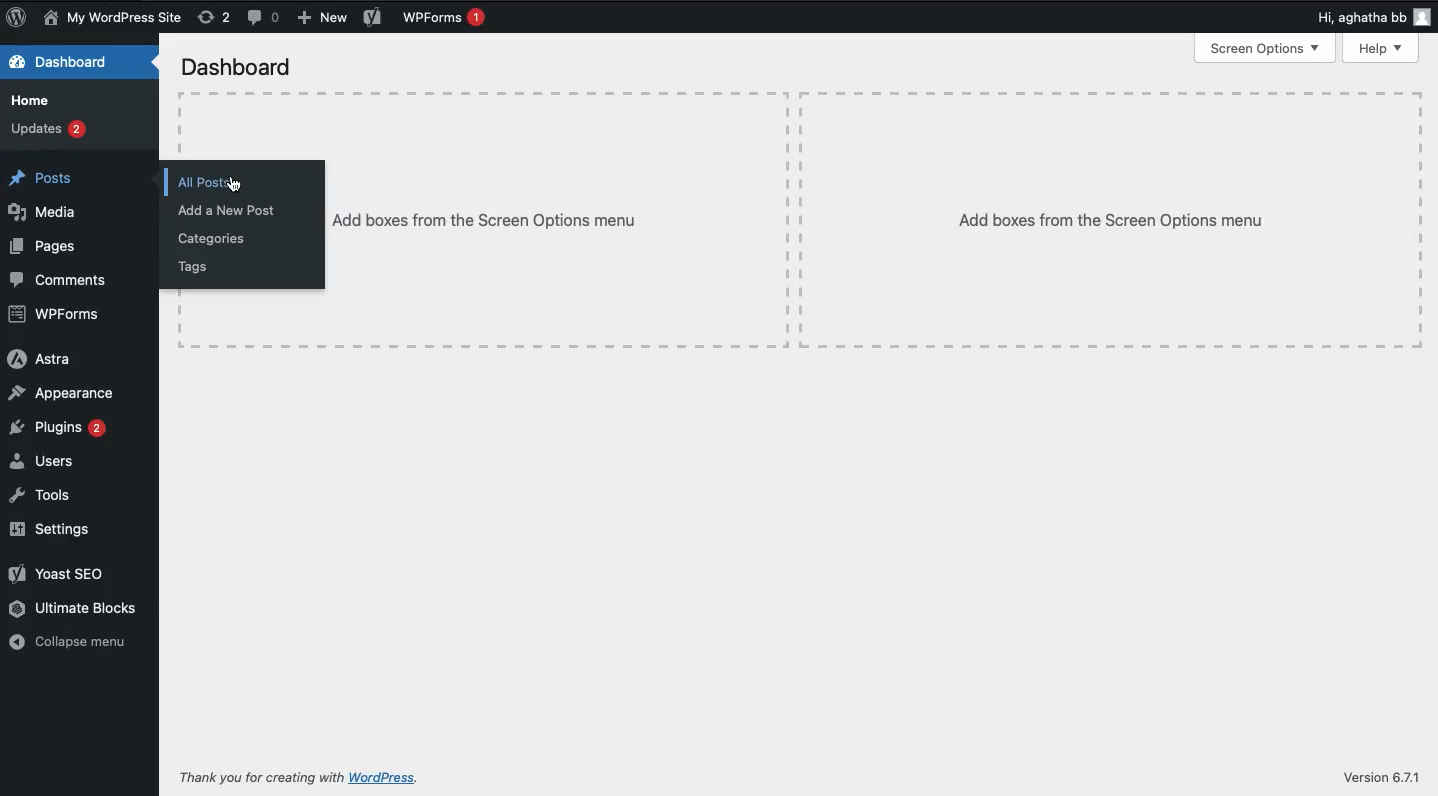 This screenshot has height=796, width=1438. What do you see at coordinates (62, 392) in the screenshot?
I see `Appearance` at bounding box center [62, 392].